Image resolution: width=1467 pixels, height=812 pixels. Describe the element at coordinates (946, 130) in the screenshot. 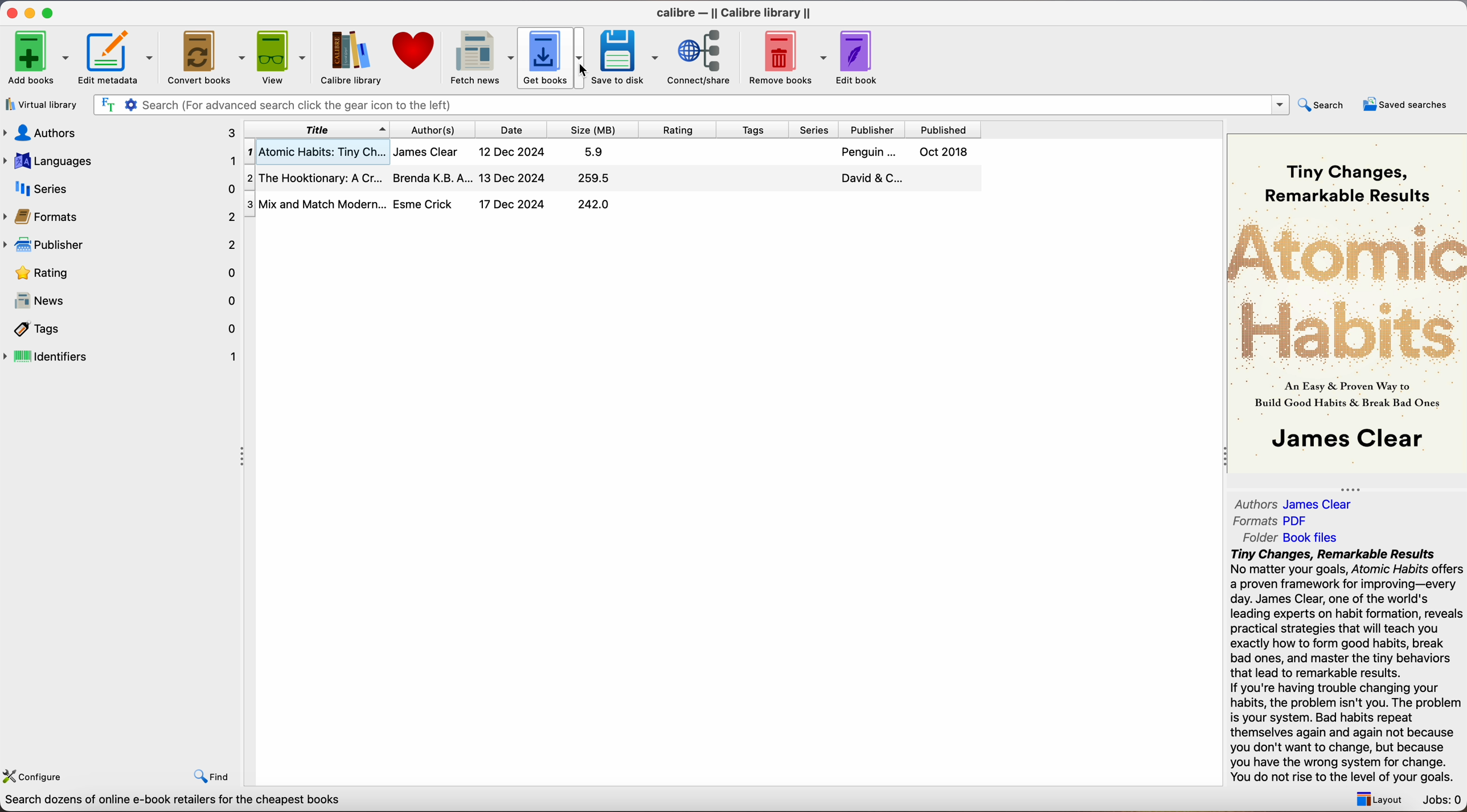

I see `published` at that location.